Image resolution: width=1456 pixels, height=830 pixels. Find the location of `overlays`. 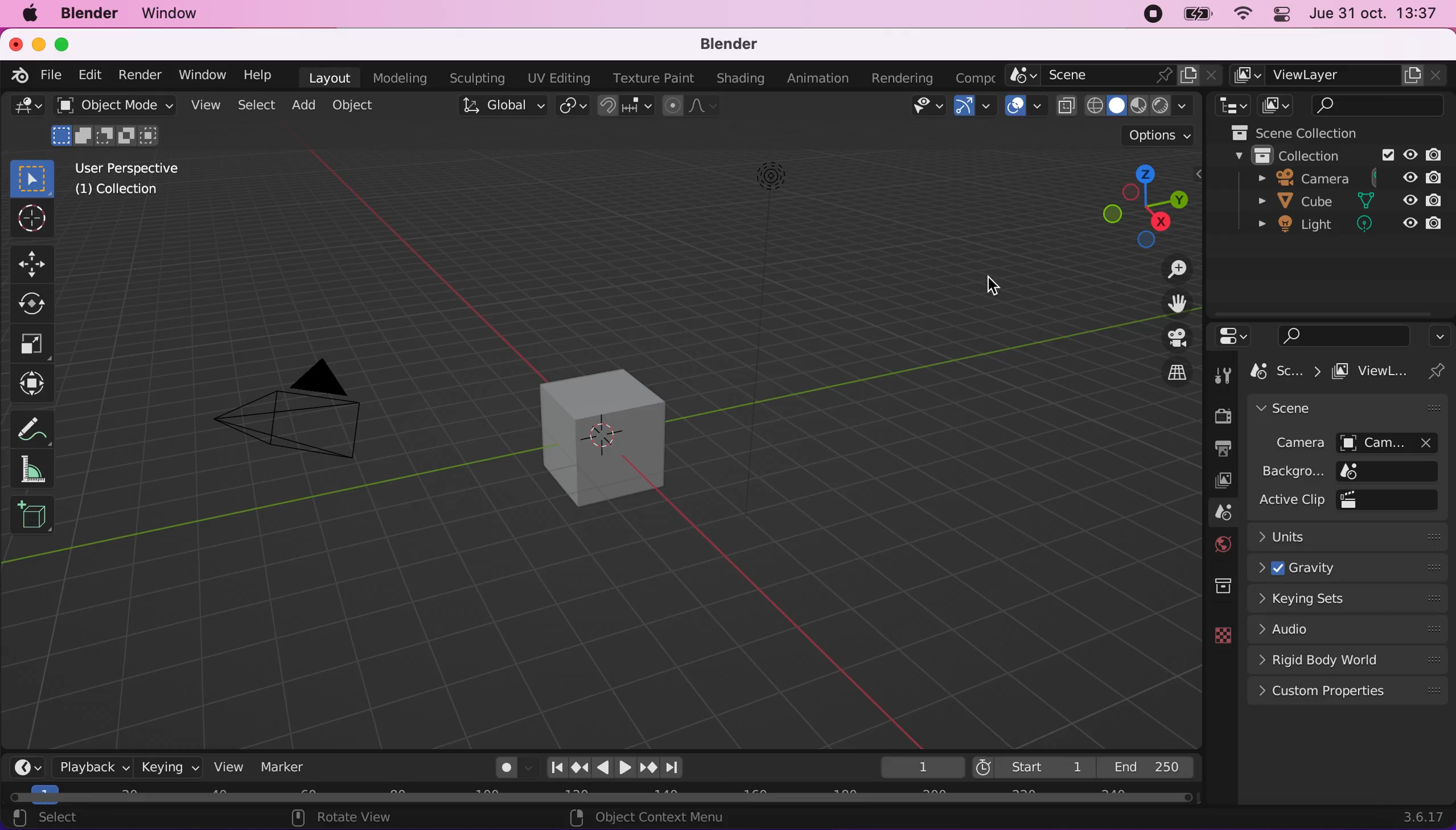

overlays is located at coordinates (1022, 105).